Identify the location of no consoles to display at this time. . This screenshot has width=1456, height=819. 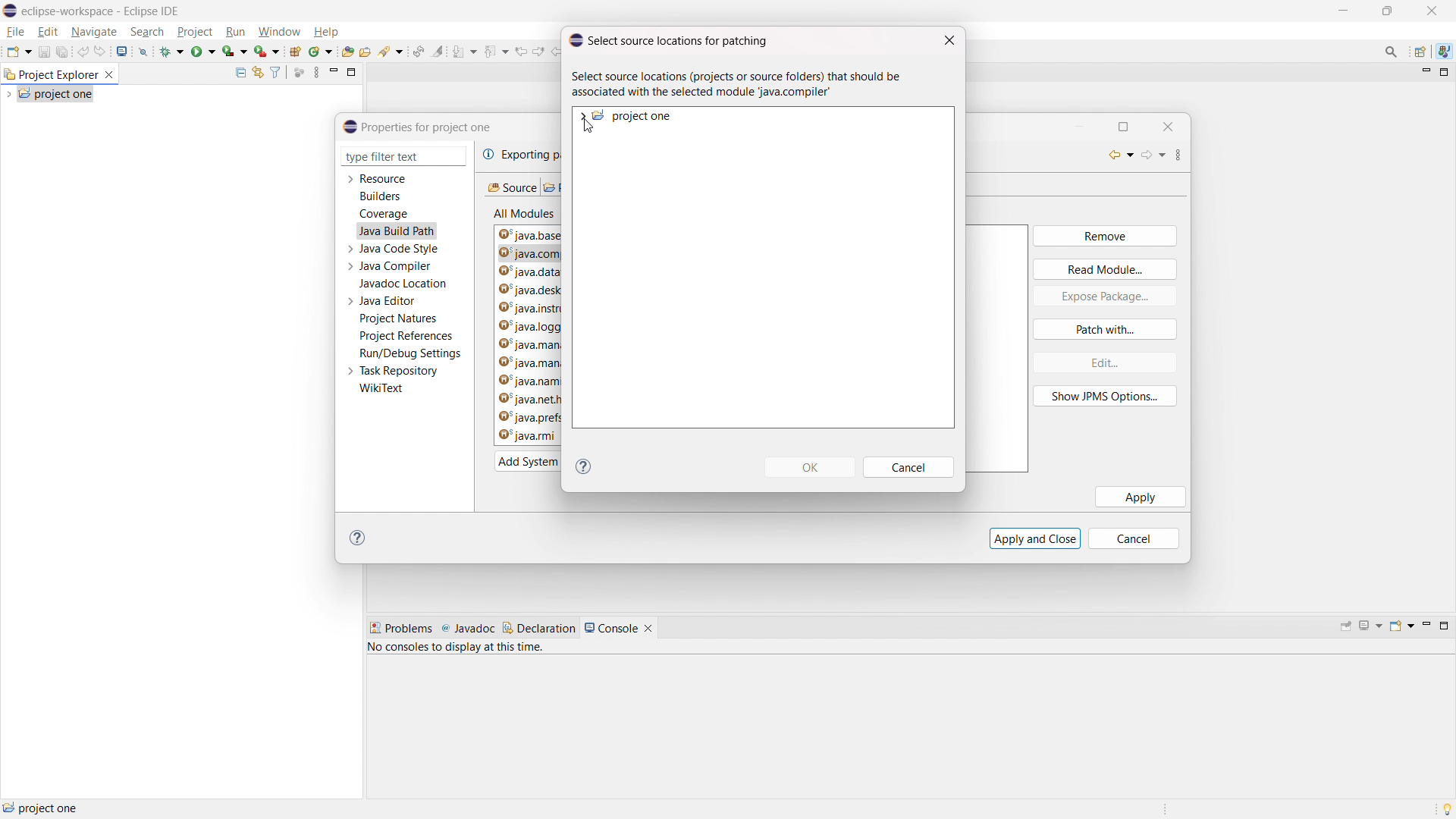
(459, 650).